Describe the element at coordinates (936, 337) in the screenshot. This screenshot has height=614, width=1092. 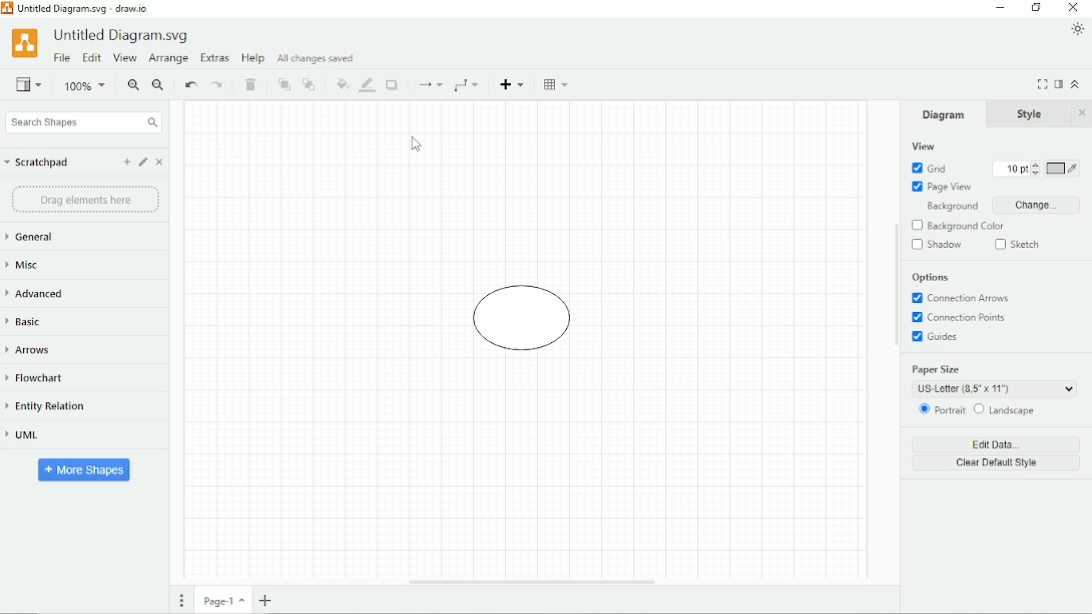
I see `Guides` at that location.